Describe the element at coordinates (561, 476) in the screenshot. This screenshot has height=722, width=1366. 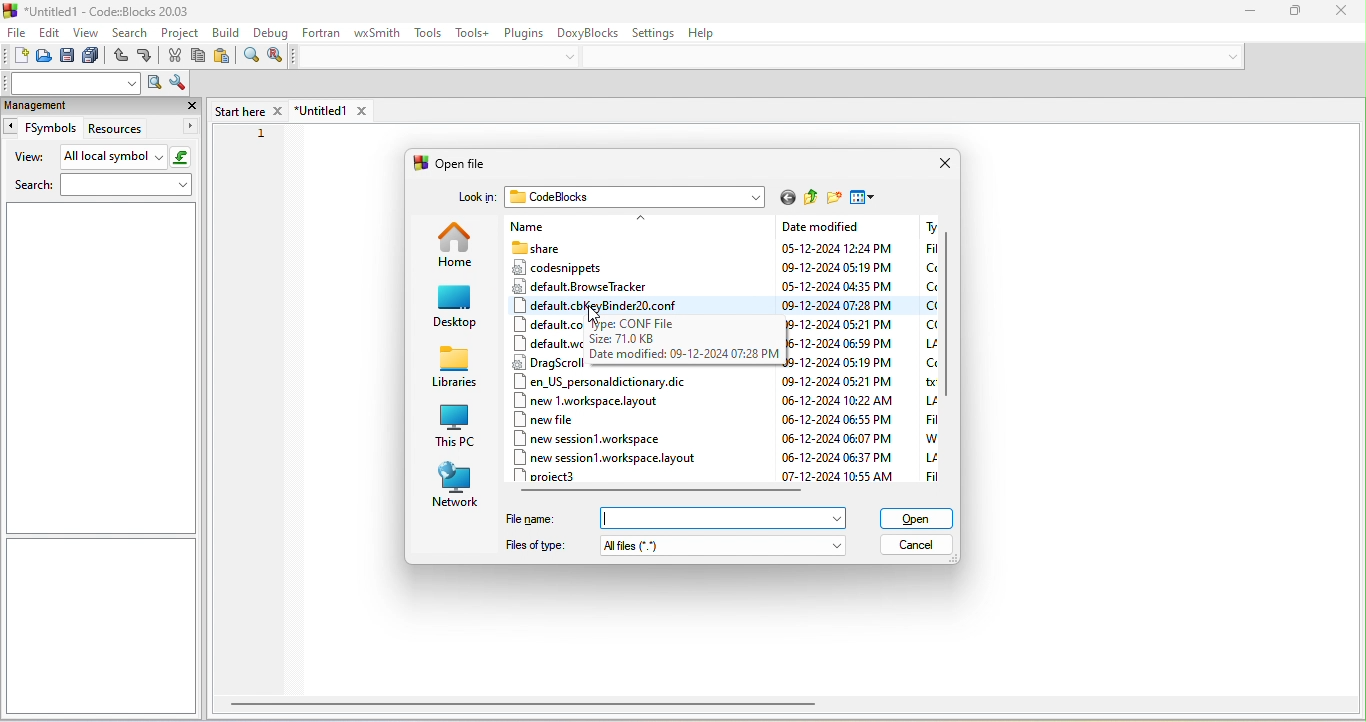
I see `project 3` at that location.